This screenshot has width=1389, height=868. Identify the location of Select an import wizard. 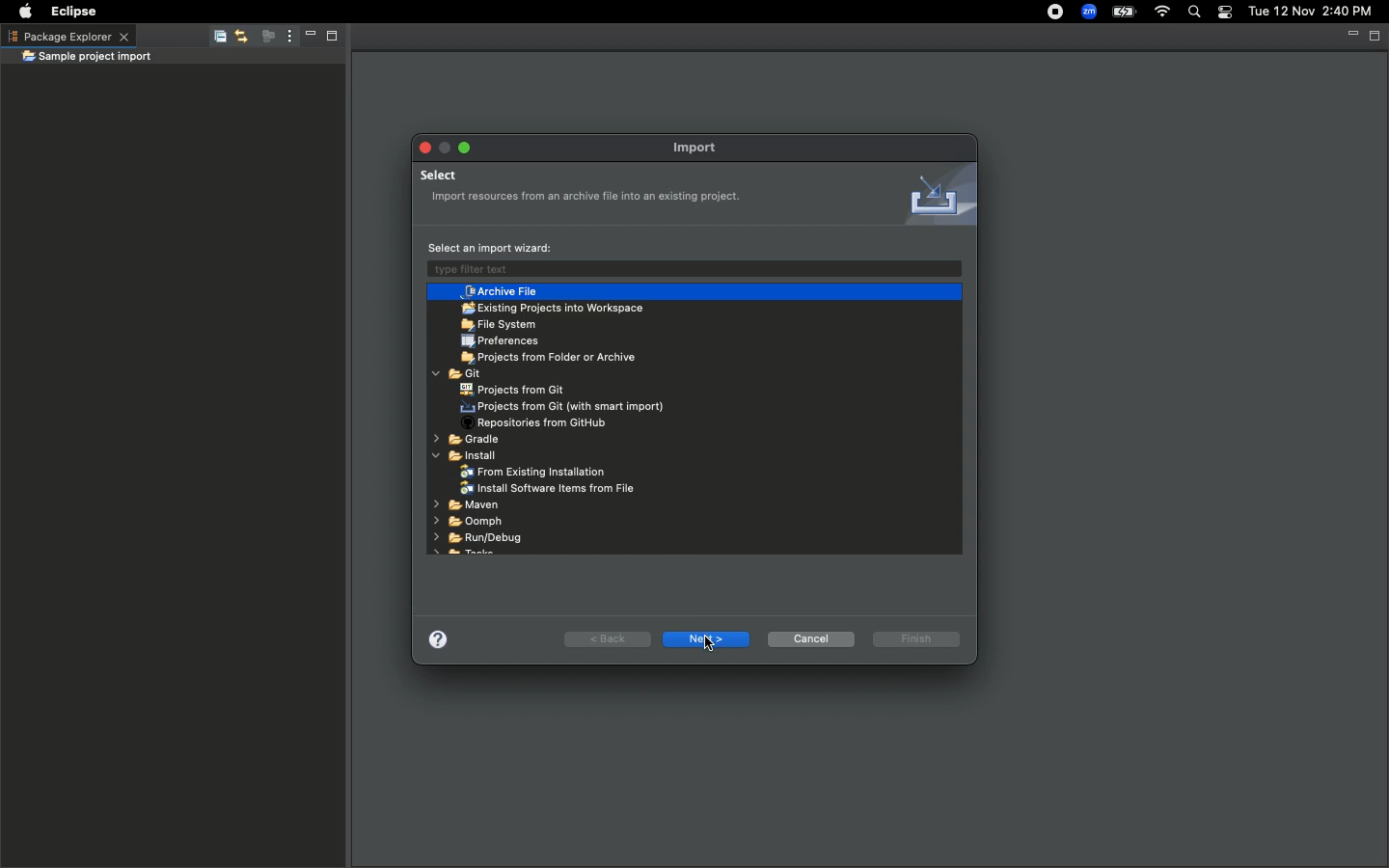
(491, 247).